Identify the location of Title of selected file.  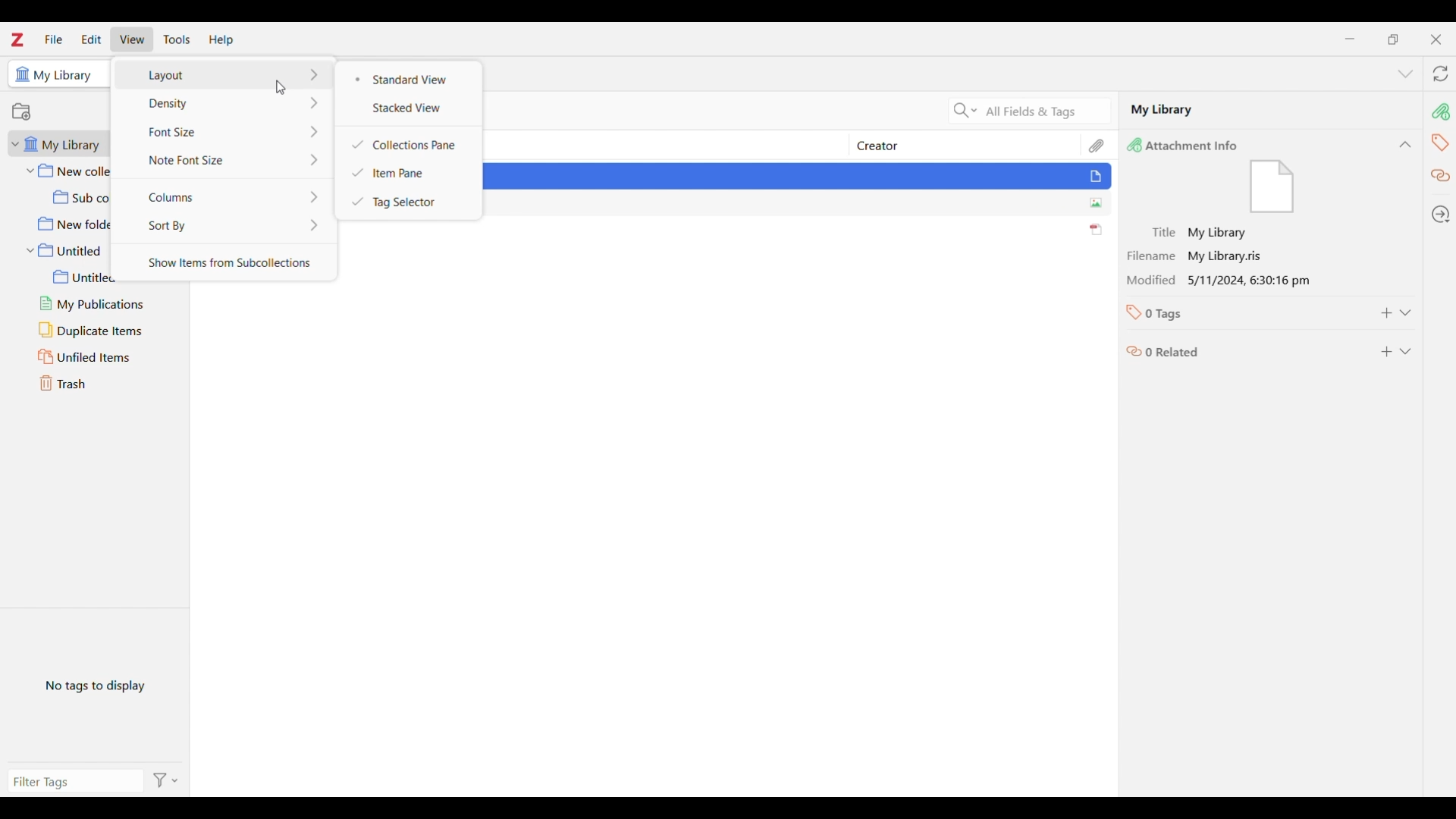
(1188, 232).